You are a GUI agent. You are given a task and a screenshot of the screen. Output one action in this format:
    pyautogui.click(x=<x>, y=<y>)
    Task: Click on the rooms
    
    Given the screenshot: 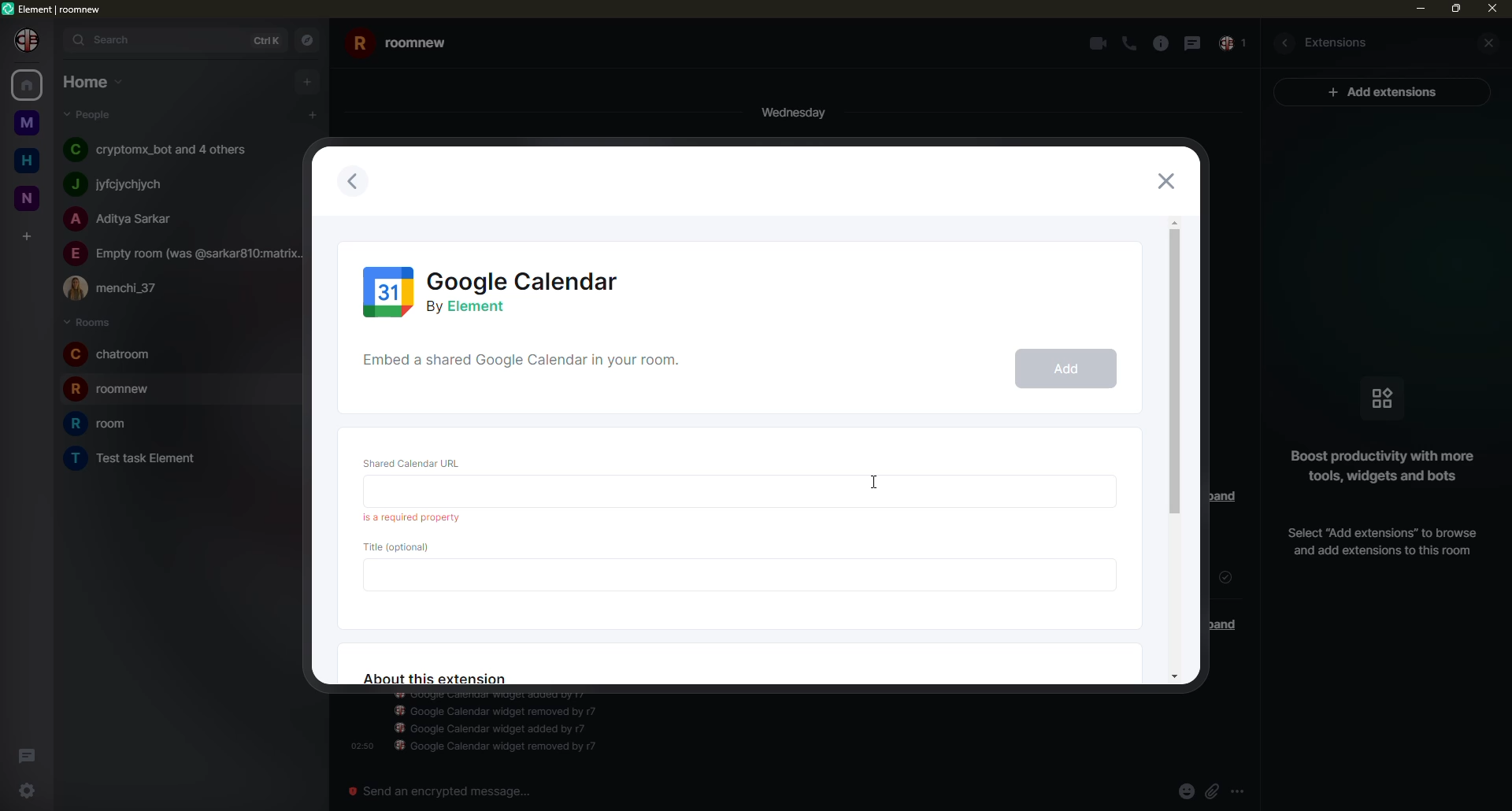 What is the action you would take?
    pyautogui.click(x=87, y=321)
    